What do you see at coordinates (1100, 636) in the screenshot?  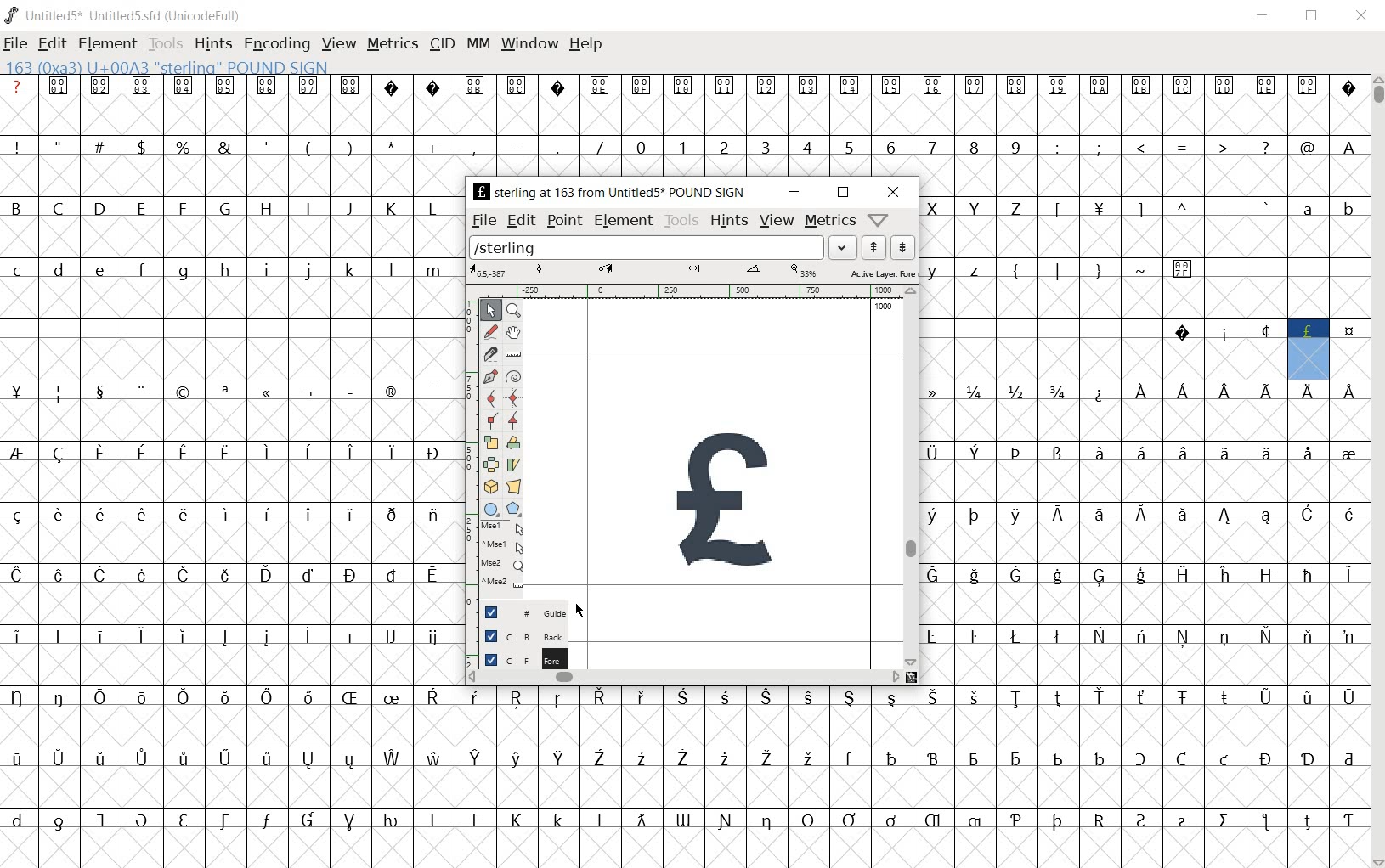 I see `Symbol` at bounding box center [1100, 636].